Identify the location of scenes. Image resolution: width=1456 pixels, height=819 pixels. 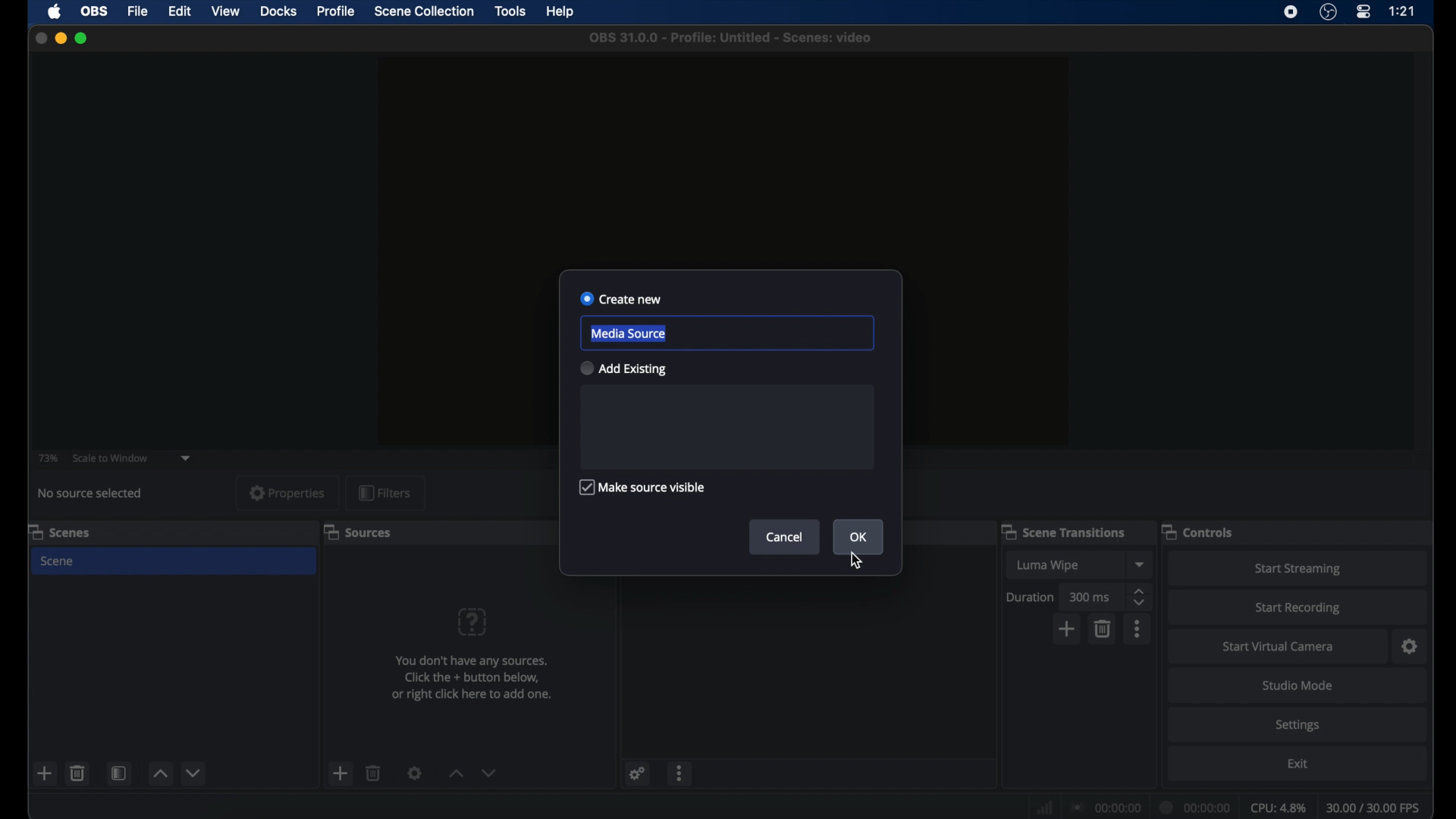
(60, 532).